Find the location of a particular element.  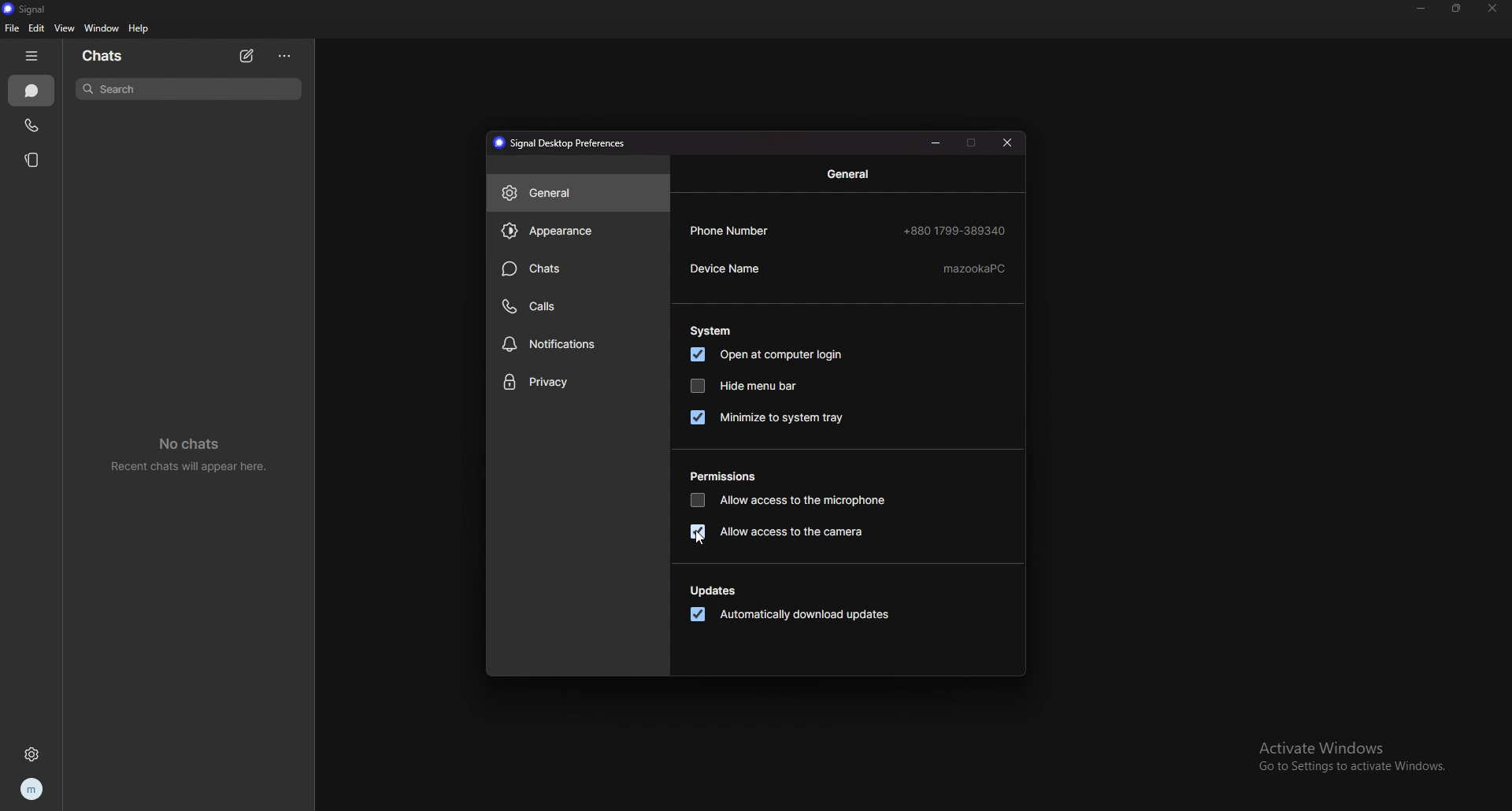

permissions is located at coordinates (725, 476).